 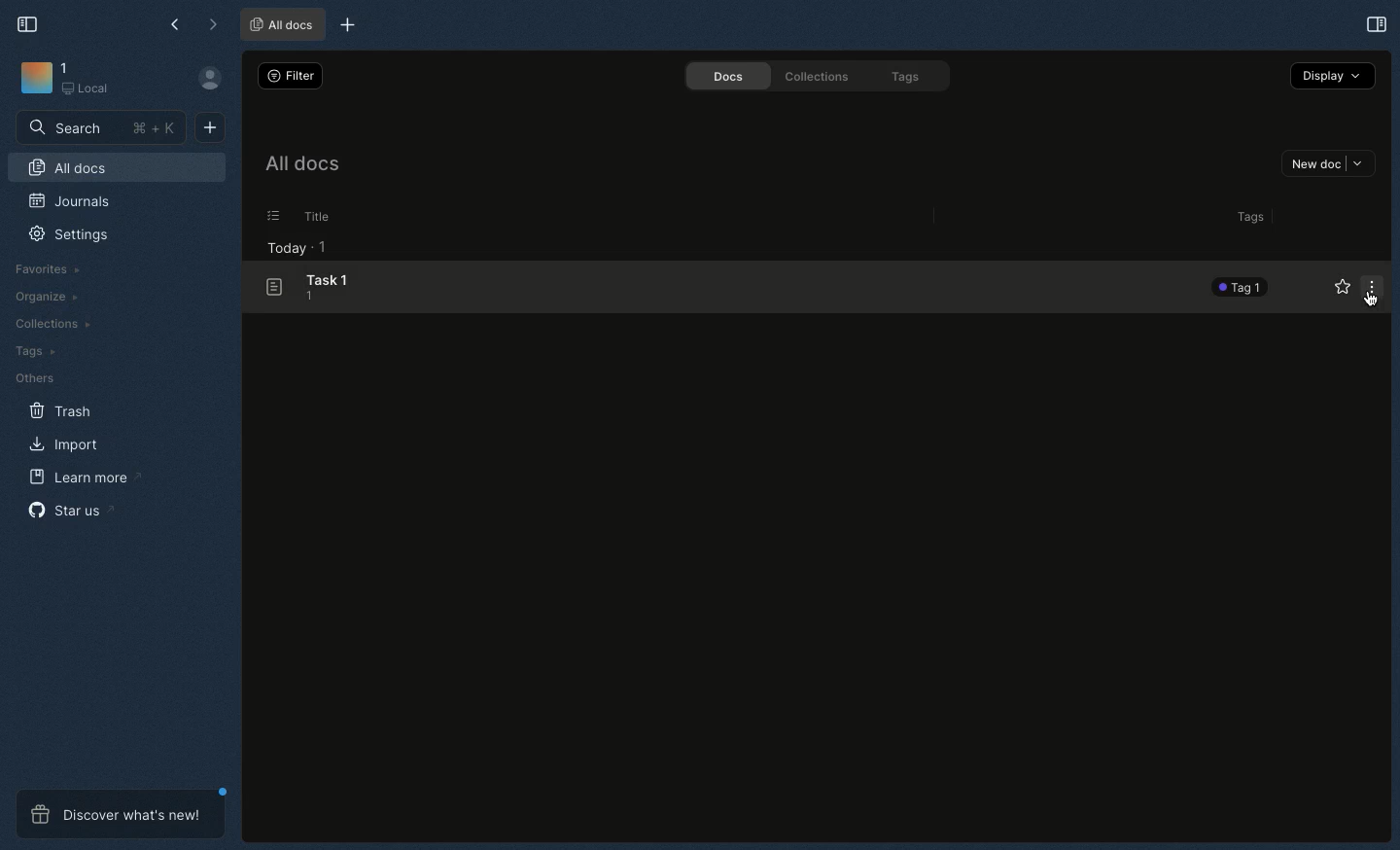 I want to click on Settings, so click(x=70, y=233).